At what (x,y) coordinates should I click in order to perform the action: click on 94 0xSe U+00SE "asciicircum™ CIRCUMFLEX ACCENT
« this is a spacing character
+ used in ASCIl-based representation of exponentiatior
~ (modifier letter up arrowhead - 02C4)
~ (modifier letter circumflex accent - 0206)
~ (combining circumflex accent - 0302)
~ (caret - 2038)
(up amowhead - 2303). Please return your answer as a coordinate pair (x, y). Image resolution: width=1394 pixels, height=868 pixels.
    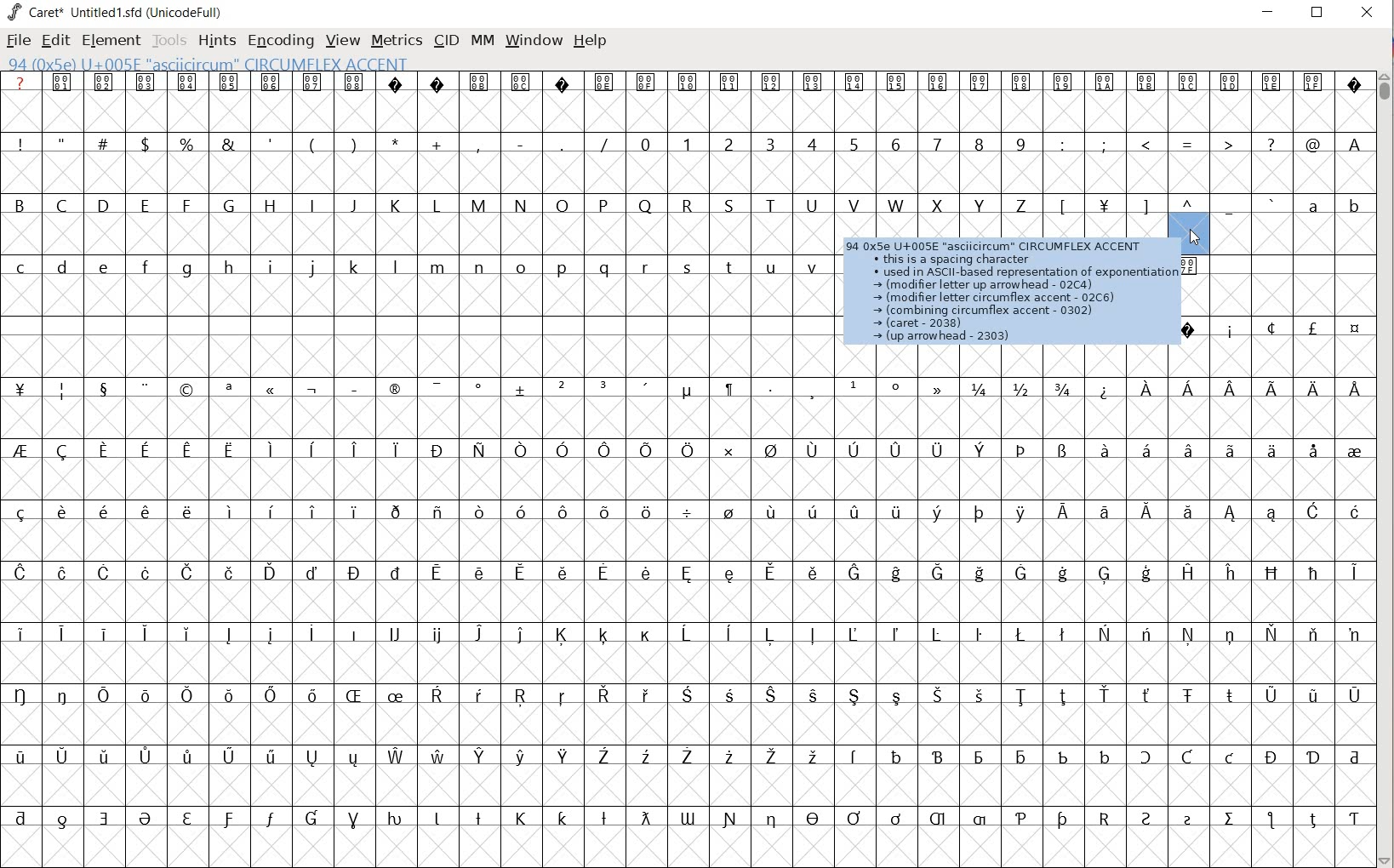
    Looking at the image, I should click on (1008, 290).